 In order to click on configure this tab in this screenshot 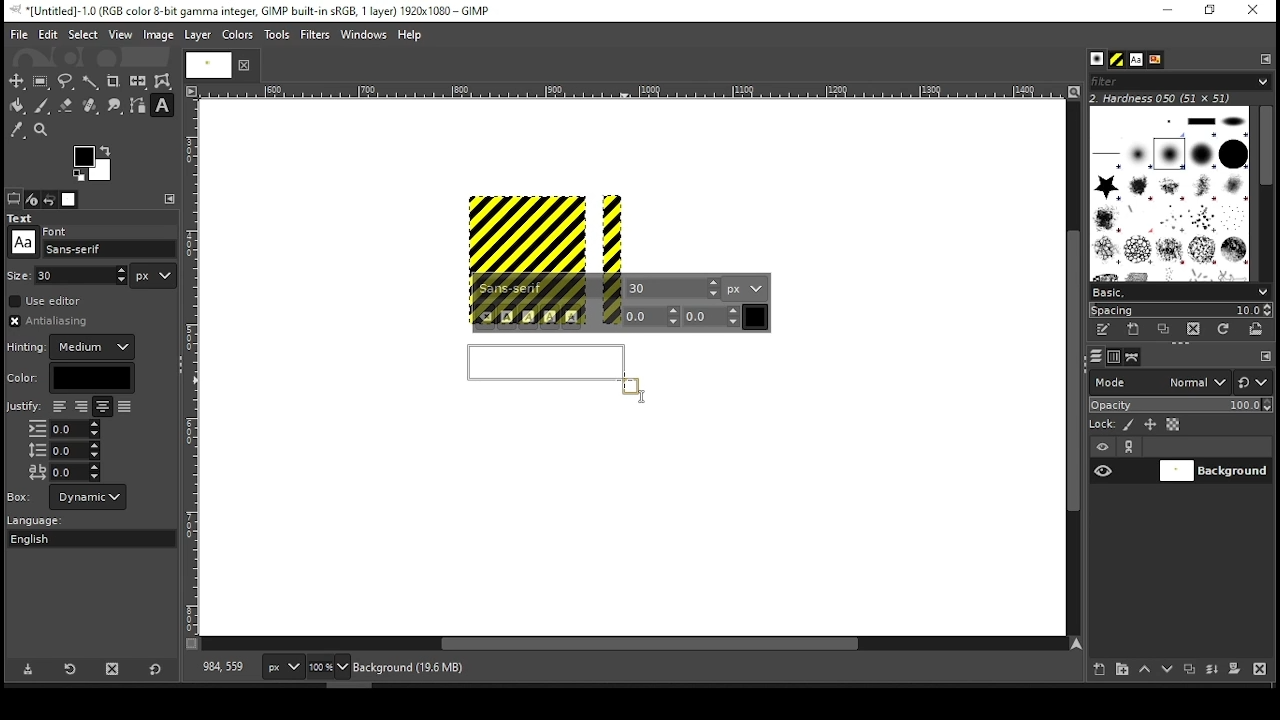, I will do `click(1267, 58)`.